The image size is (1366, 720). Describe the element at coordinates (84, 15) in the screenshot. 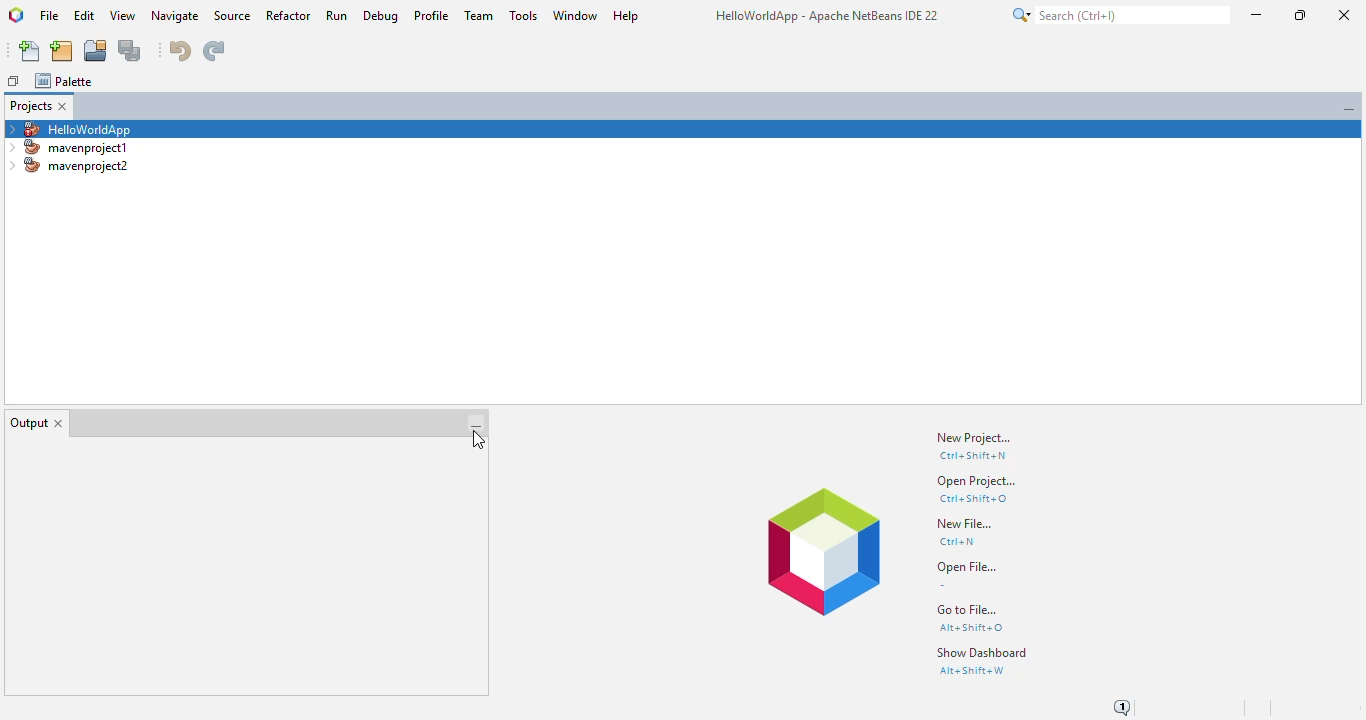

I see `edit` at that location.